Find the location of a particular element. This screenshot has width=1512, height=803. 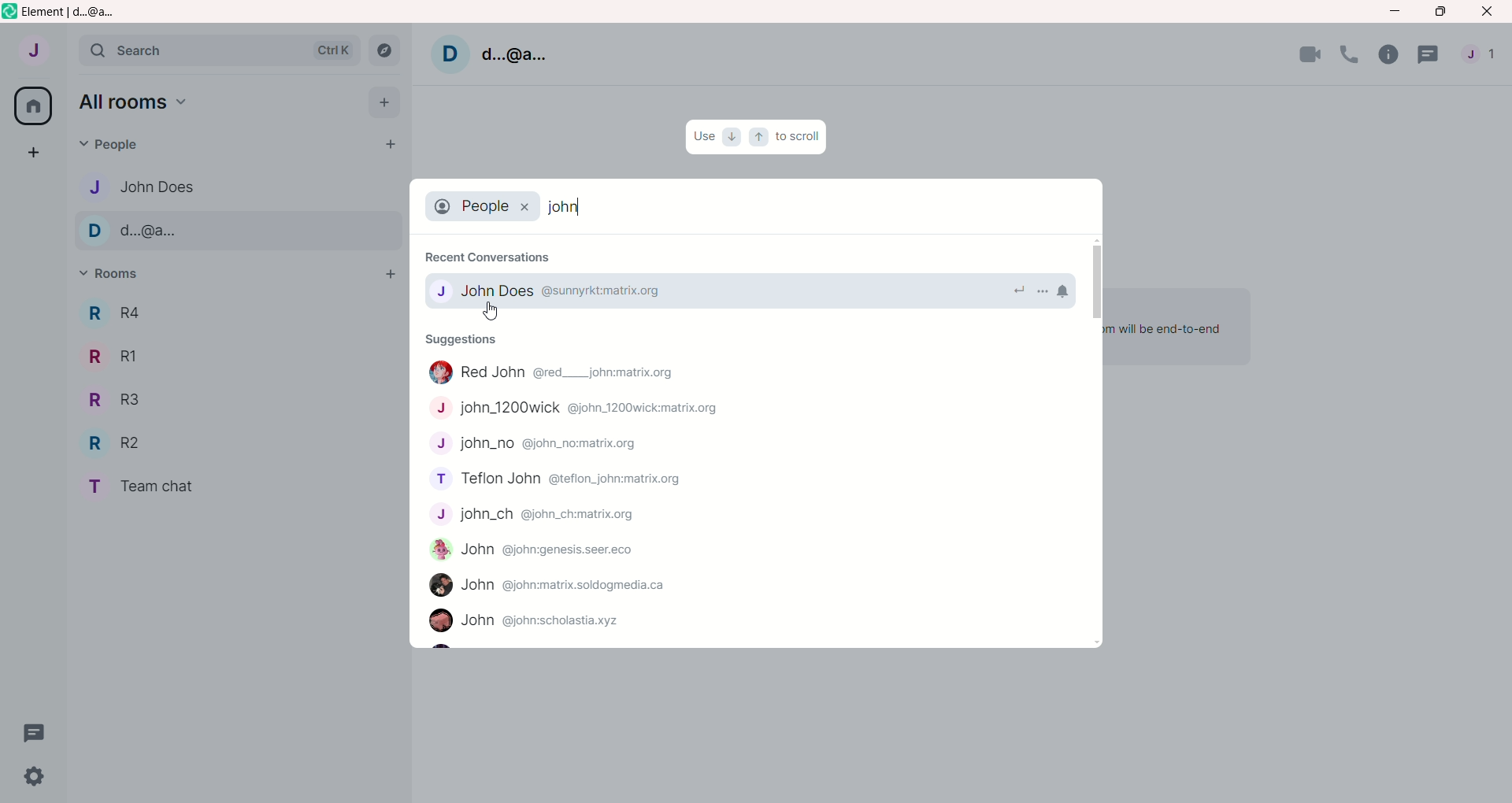

R4 is located at coordinates (110, 313).